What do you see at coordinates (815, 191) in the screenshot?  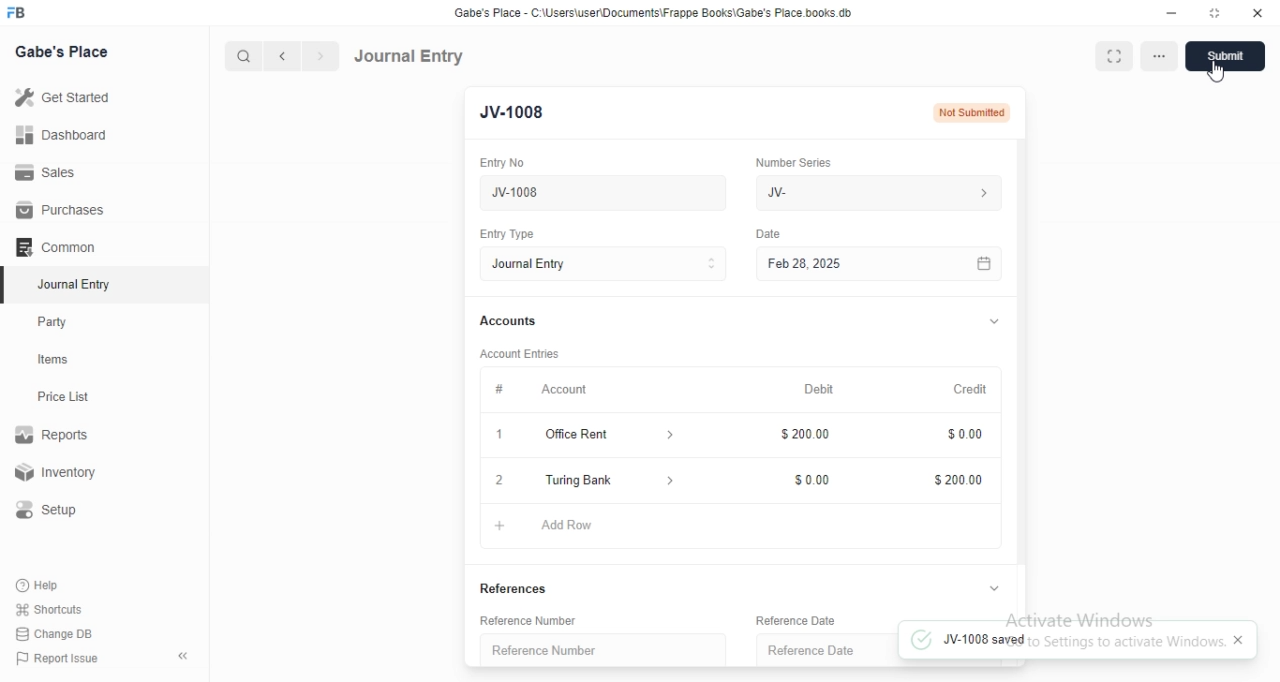 I see `We` at bounding box center [815, 191].